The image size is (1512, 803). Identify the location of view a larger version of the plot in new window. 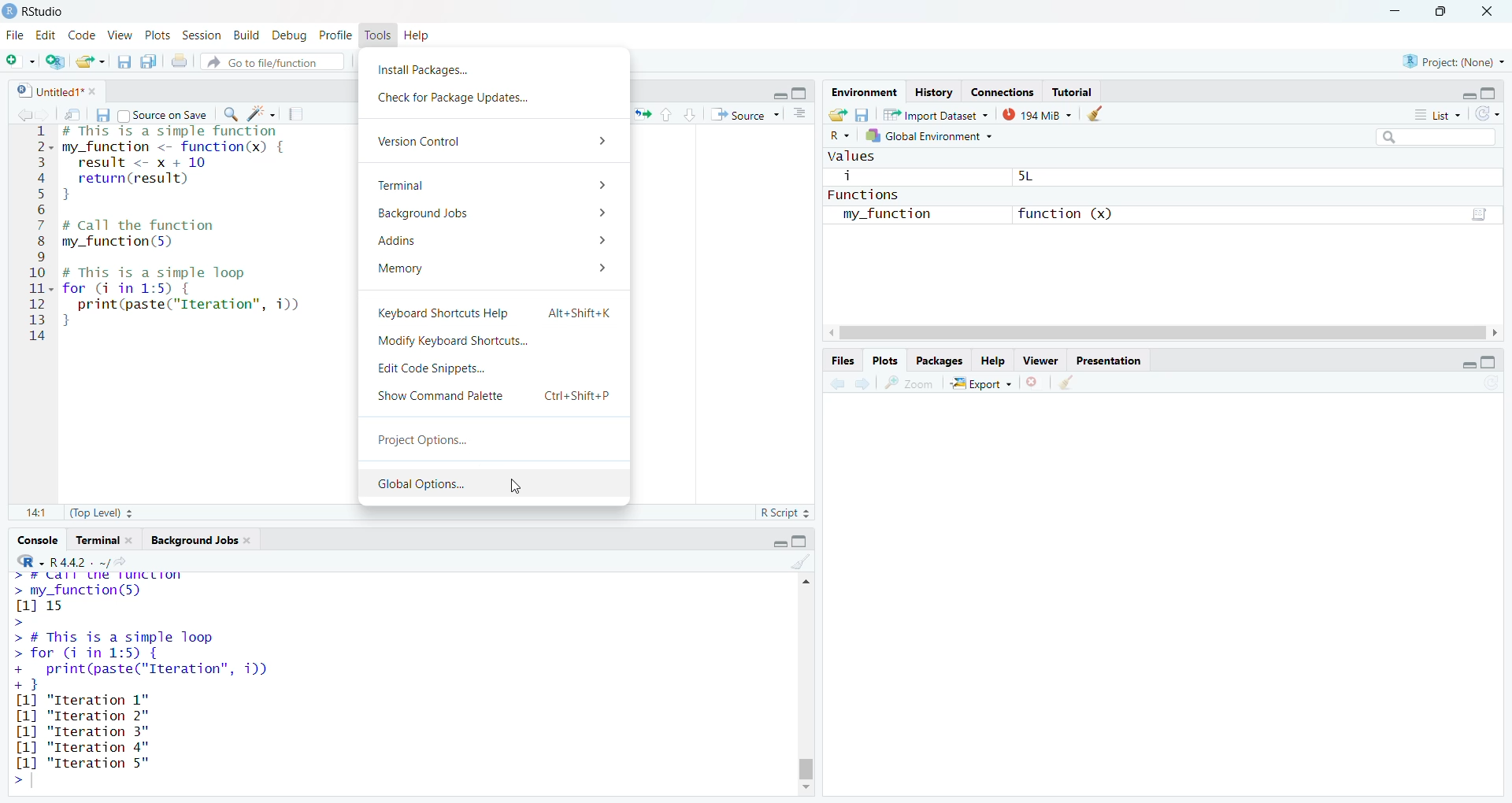
(913, 383).